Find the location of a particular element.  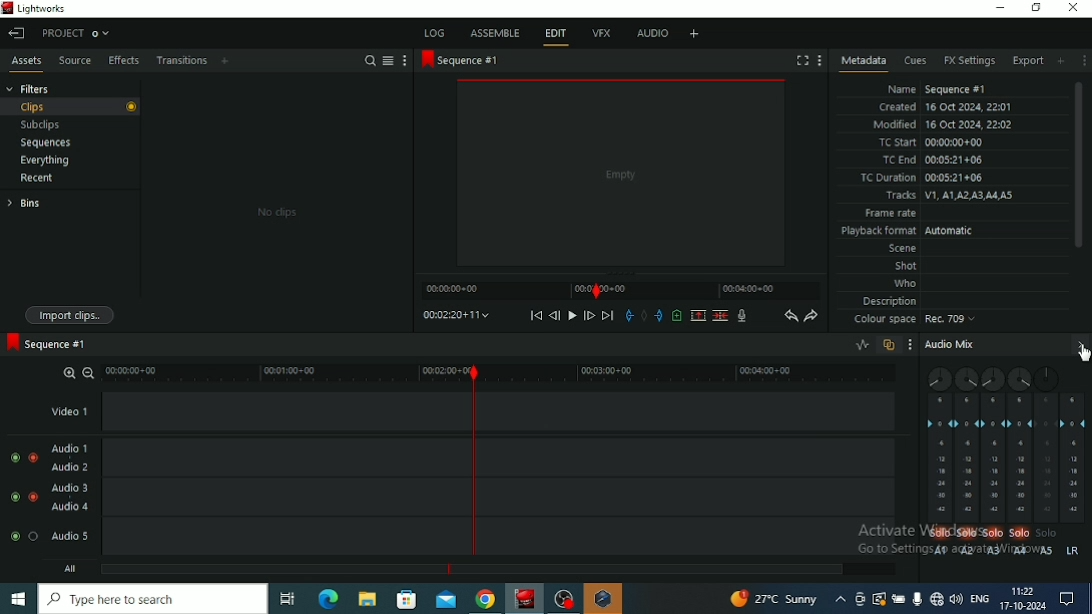

Shot is located at coordinates (906, 265).